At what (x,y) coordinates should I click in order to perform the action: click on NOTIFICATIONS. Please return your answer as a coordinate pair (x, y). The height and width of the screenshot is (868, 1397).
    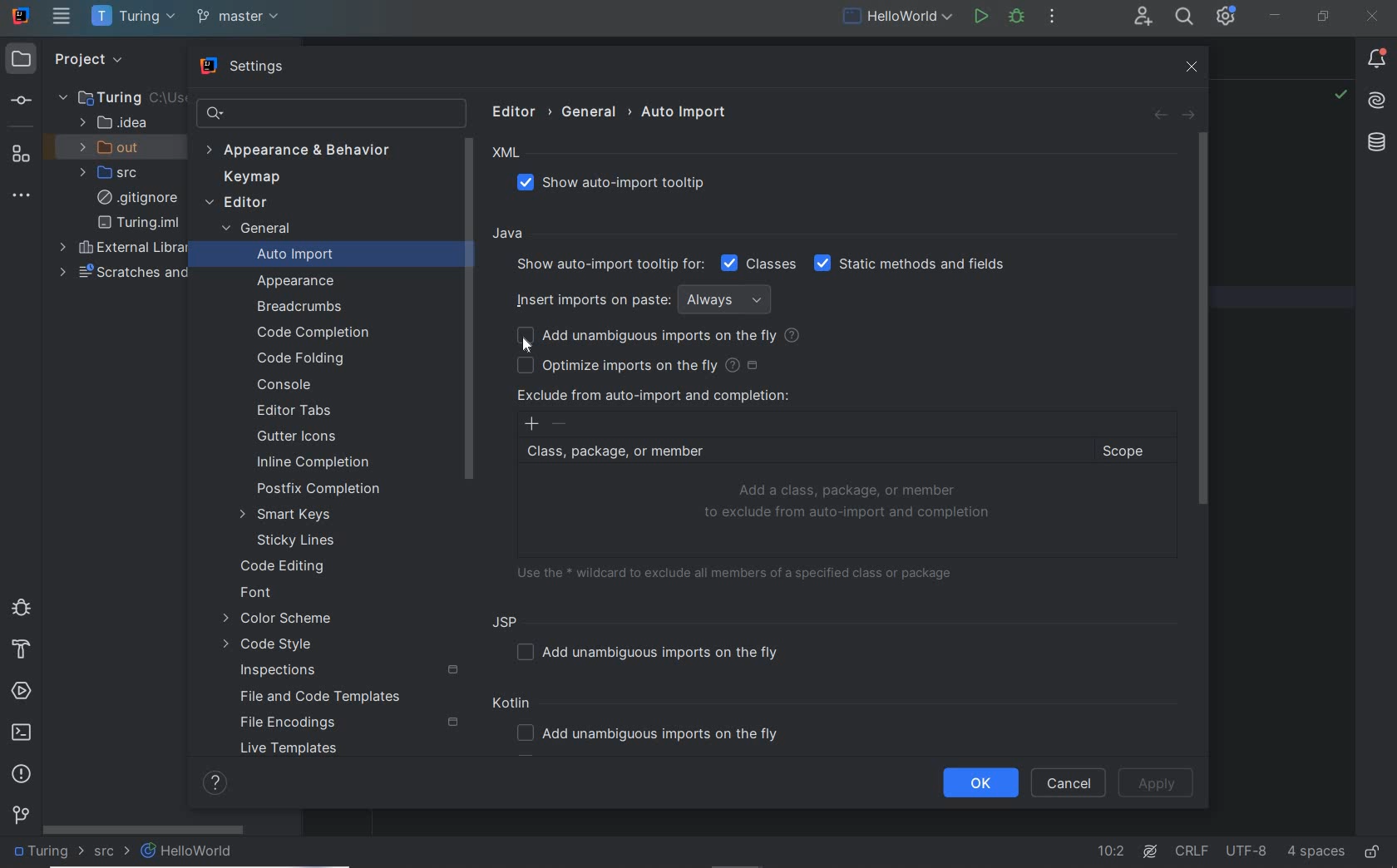
    Looking at the image, I should click on (1377, 60).